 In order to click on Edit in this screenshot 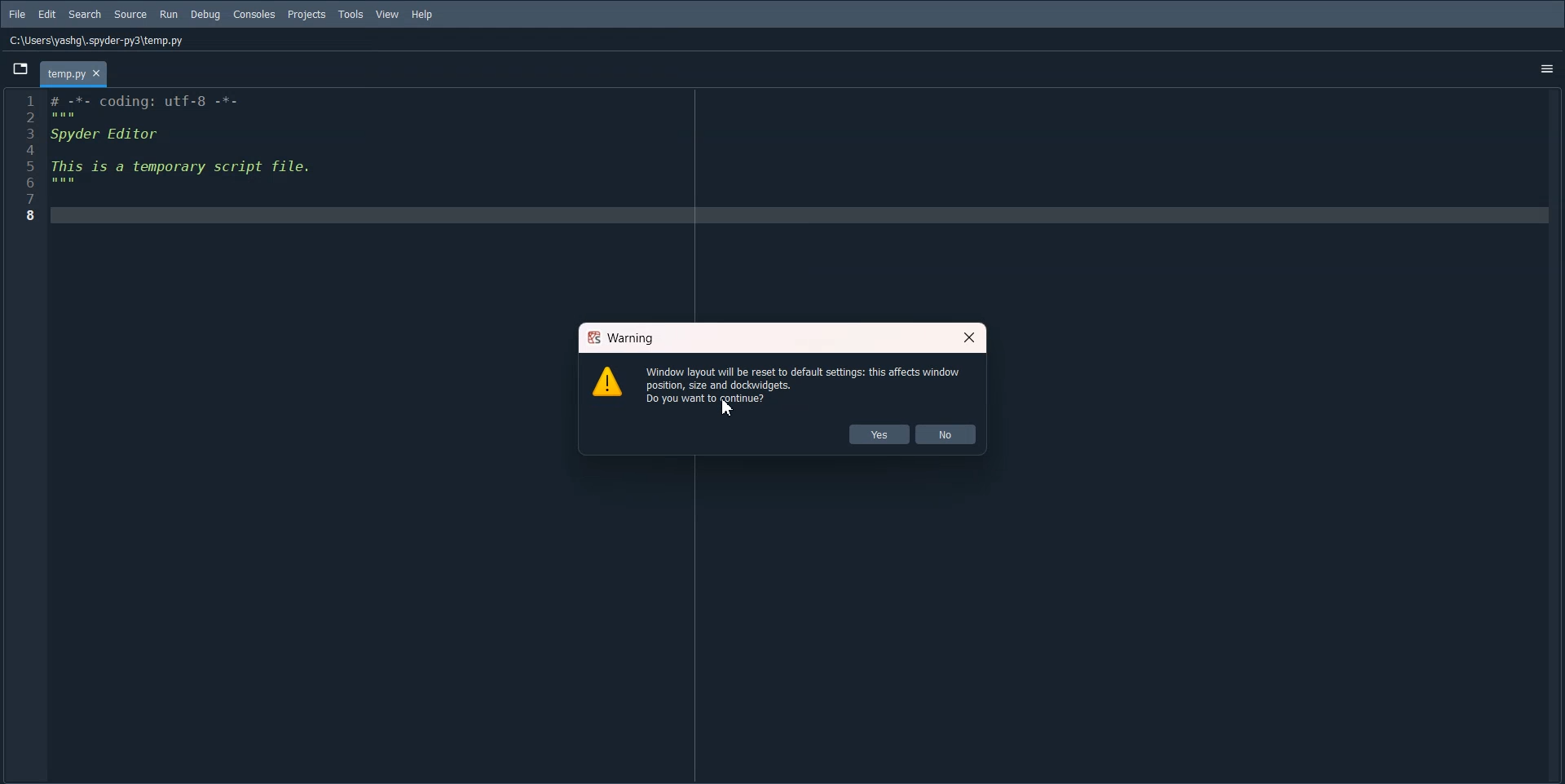, I will do `click(47, 14)`.